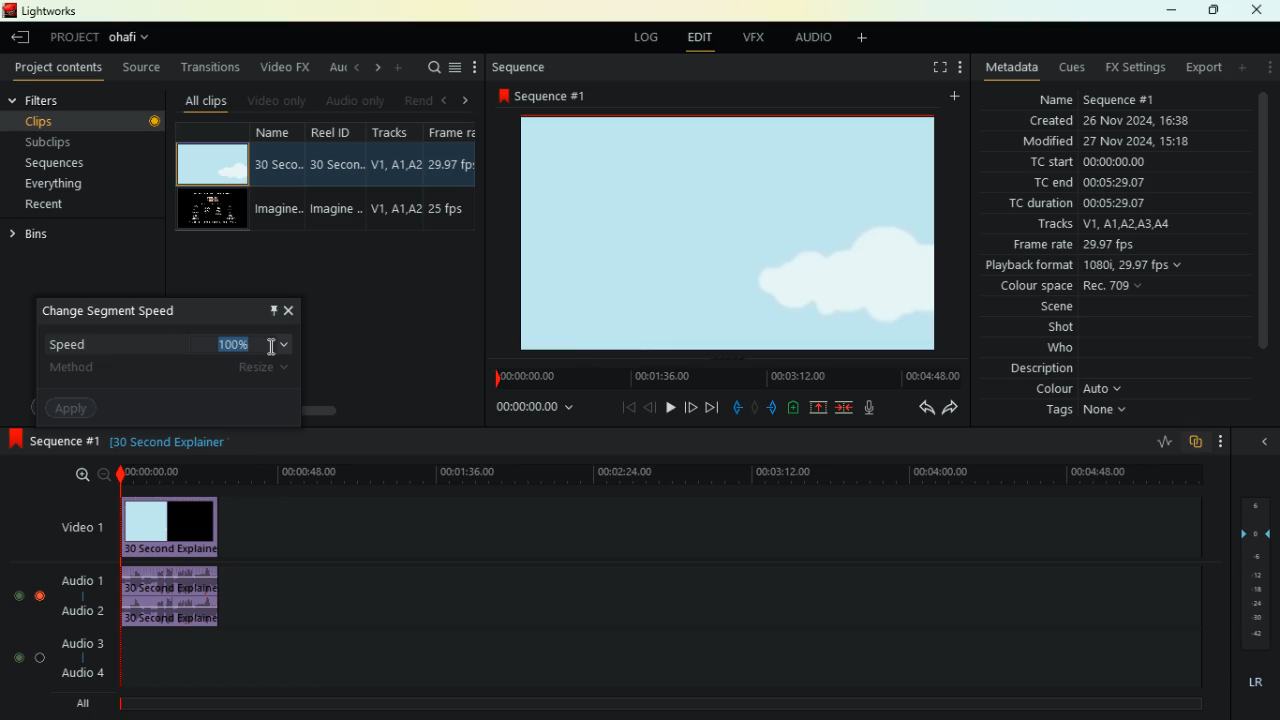 The image size is (1280, 720). Describe the element at coordinates (527, 408) in the screenshot. I see `time` at that location.